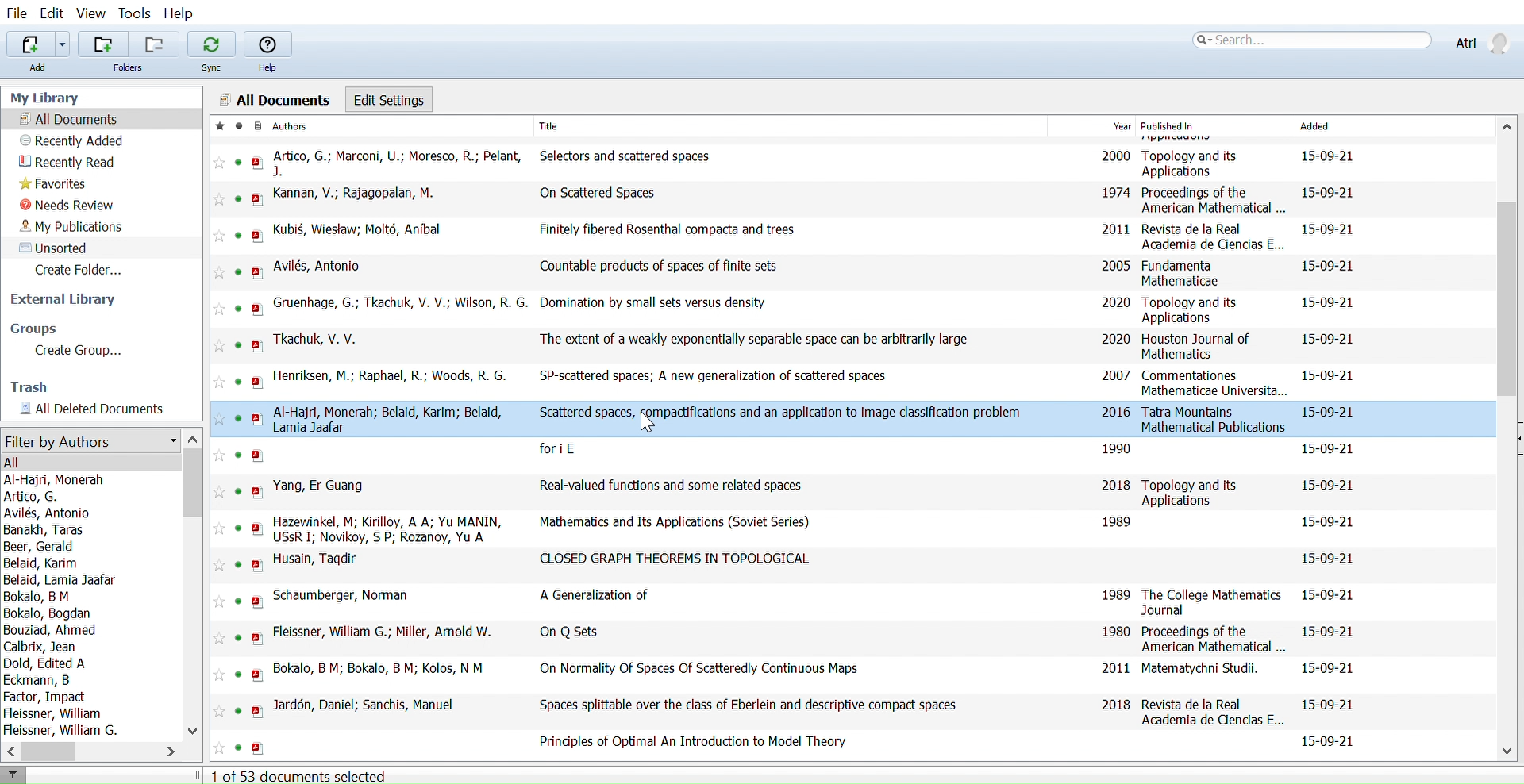 Image resolution: width=1524 pixels, height=784 pixels. What do you see at coordinates (1116, 340) in the screenshot?
I see `2020` at bounding box center [1116, 340].